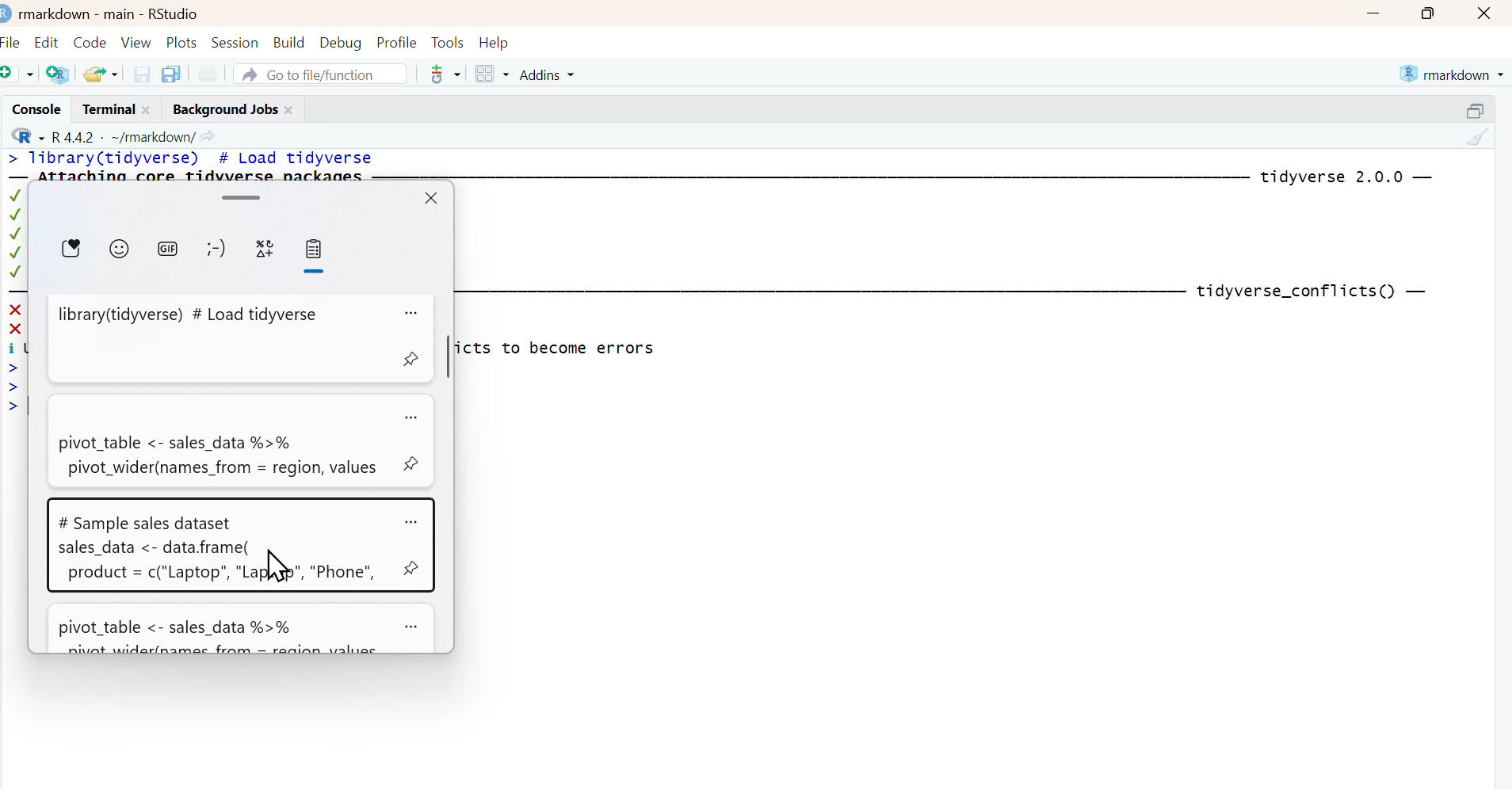  I want to click on Plots, so click(182, 40).